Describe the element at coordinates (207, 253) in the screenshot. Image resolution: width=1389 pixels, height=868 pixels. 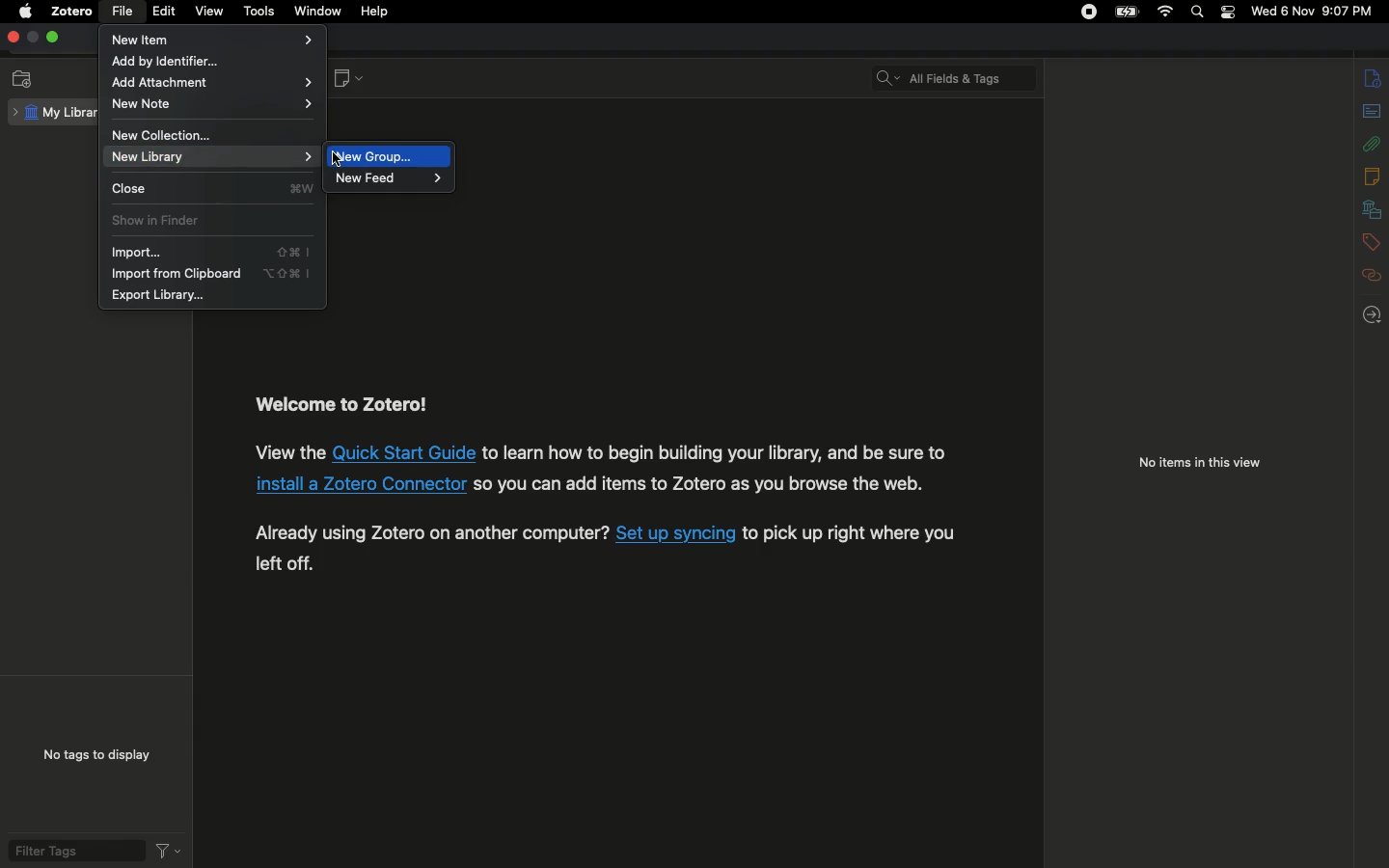
I see `Import` at that location.